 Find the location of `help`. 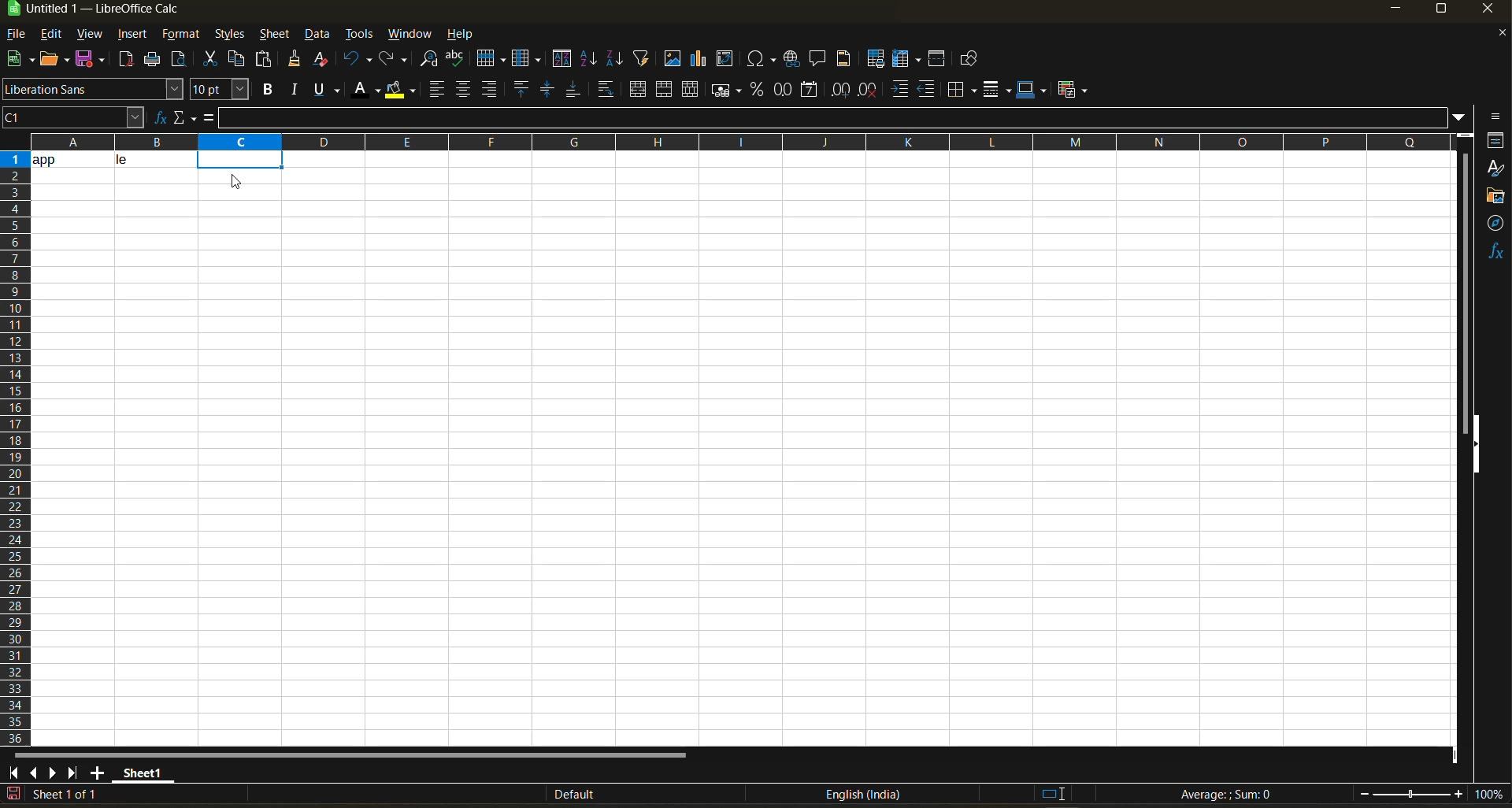

help is located at coordinates (465, 35).